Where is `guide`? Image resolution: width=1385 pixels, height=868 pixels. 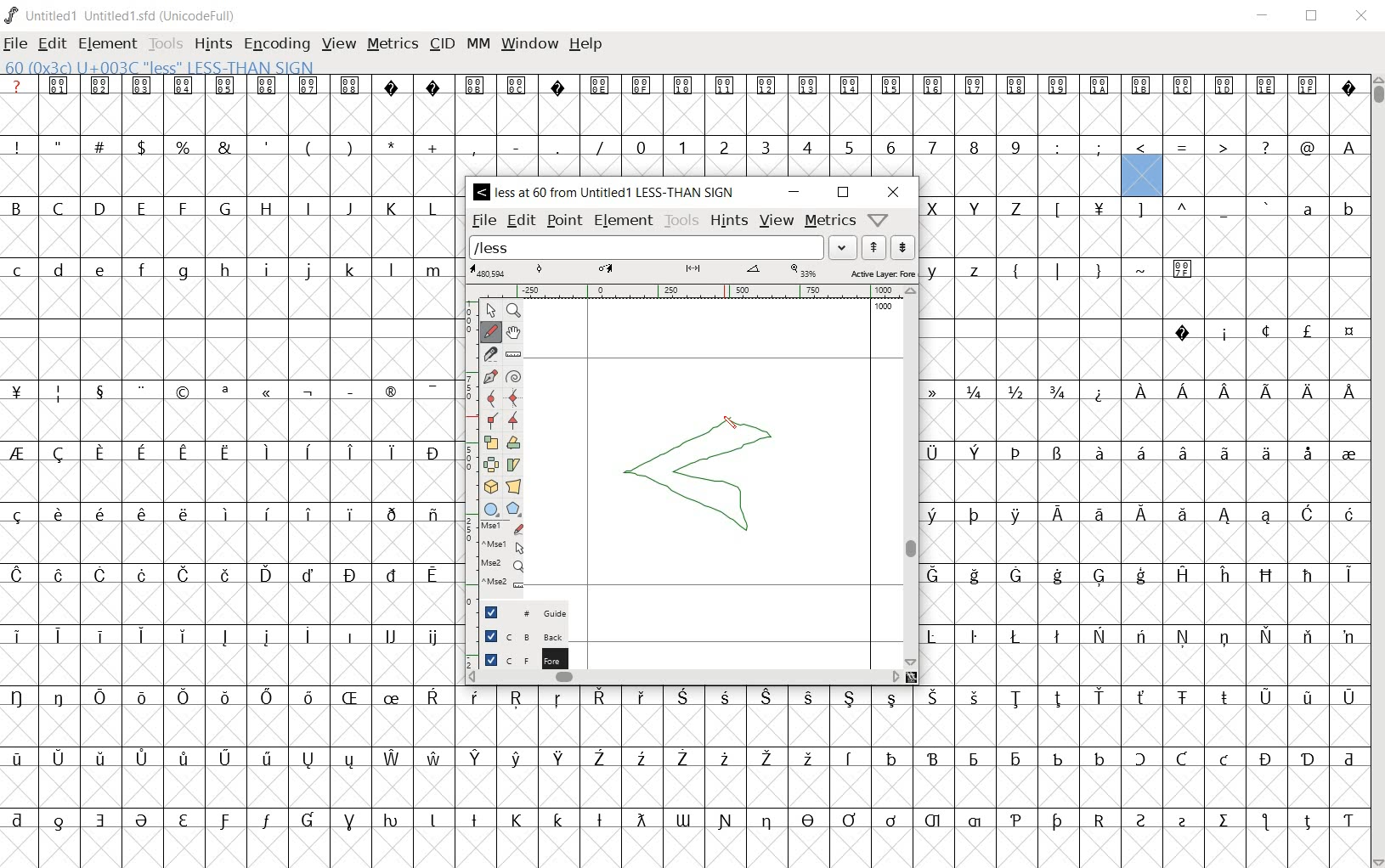 guide is located at coordinates (523, 612).